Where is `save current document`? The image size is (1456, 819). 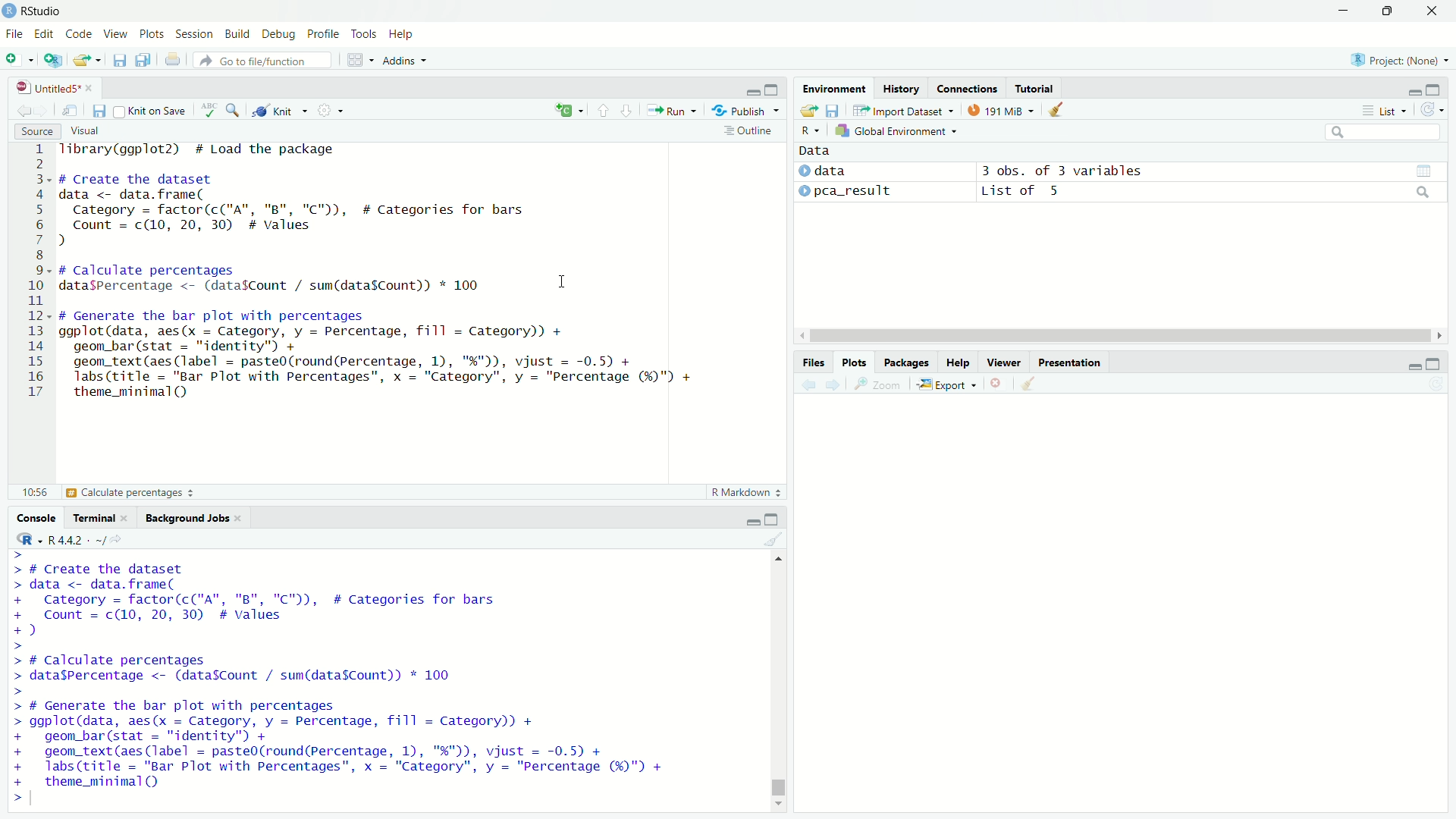 save current document is located at coordinates (100, 111).